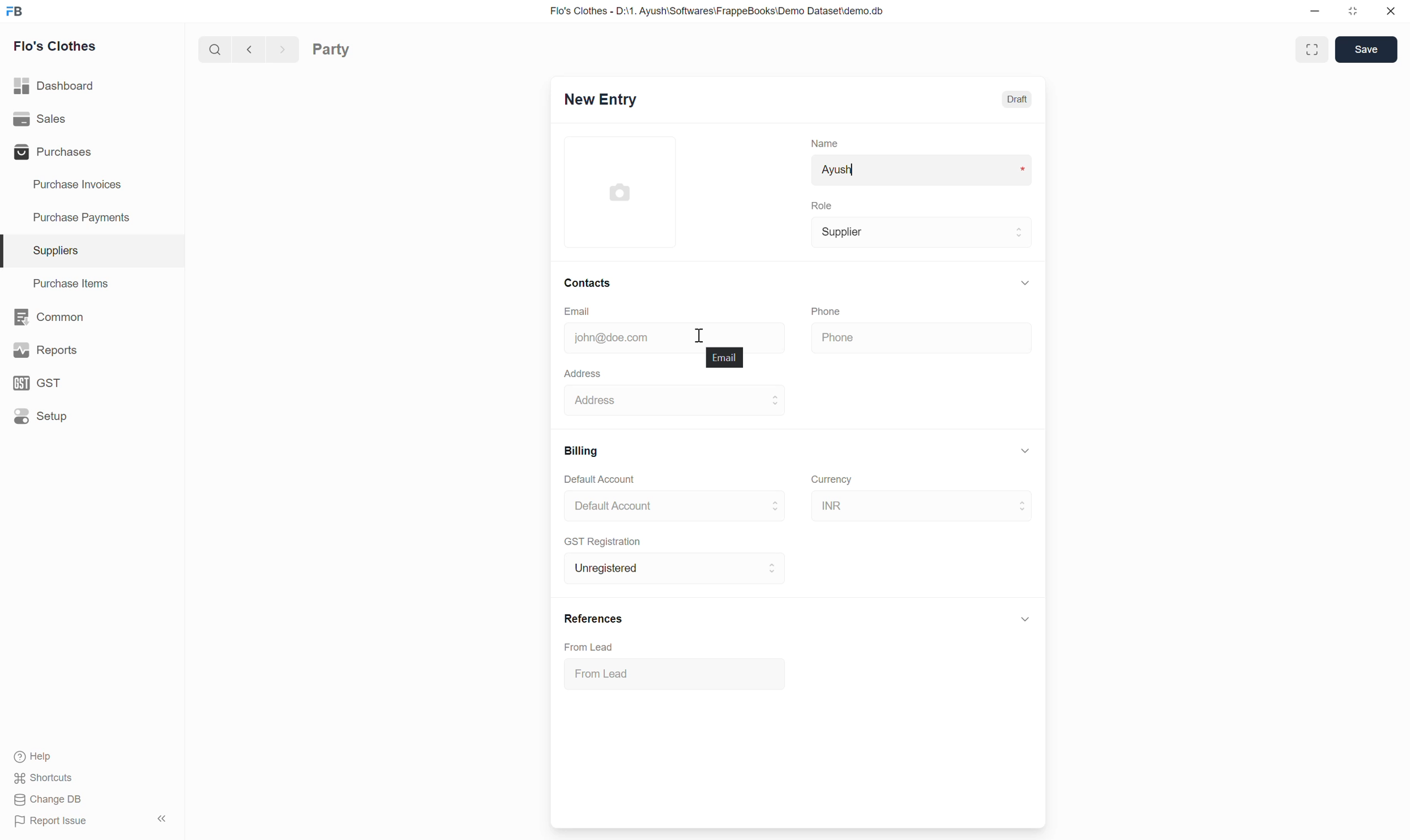 The height and width of the screenshot is (840, 1410). Describe the element at coordinates (717, 11) in the screenshot. I see `Flo's Clothes - D:\1. Ayush\Softwares\FrappeBooks\Demo Dataset\demo.db` at that location.